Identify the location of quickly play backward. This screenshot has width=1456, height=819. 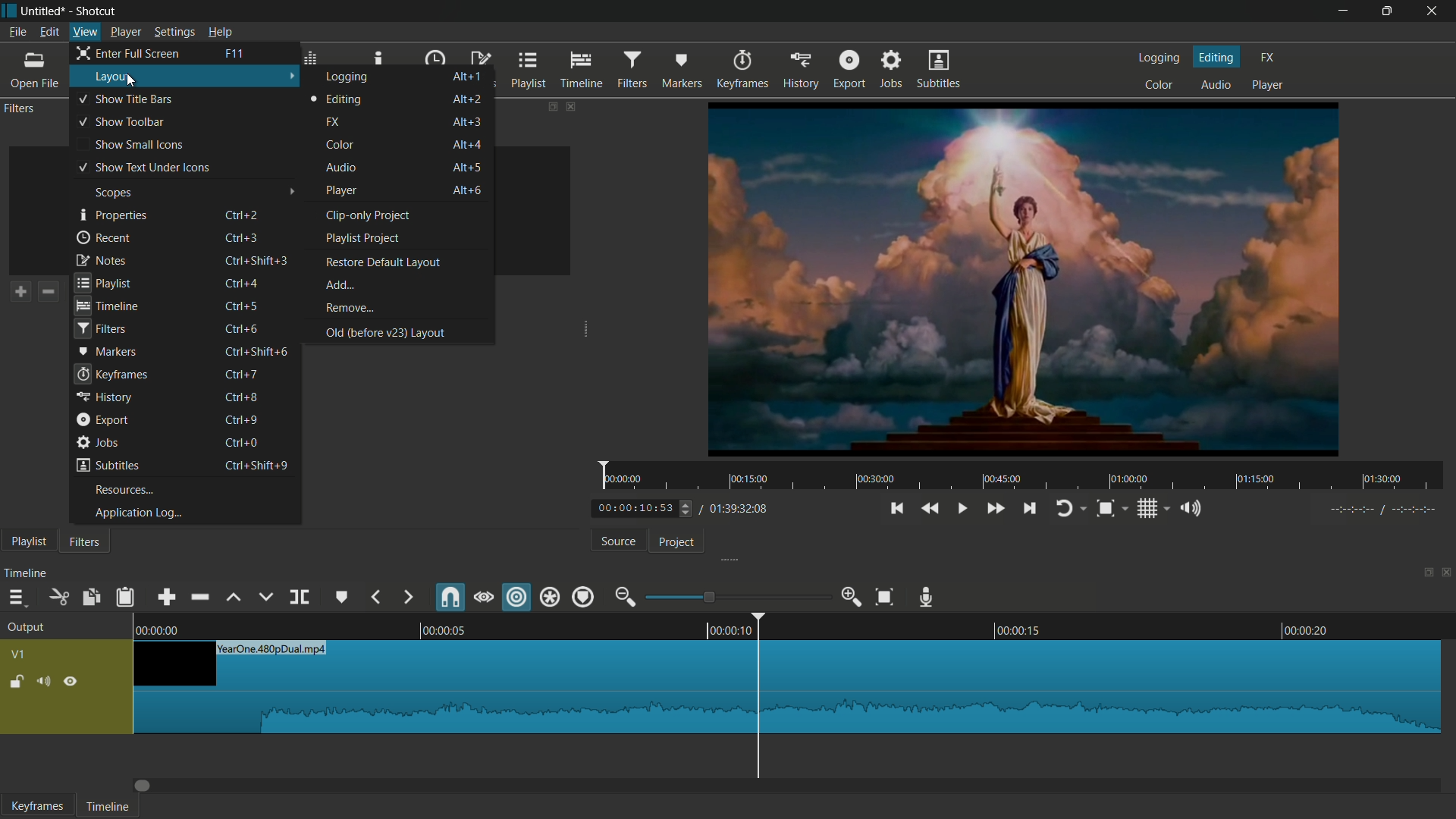
(929, 509).